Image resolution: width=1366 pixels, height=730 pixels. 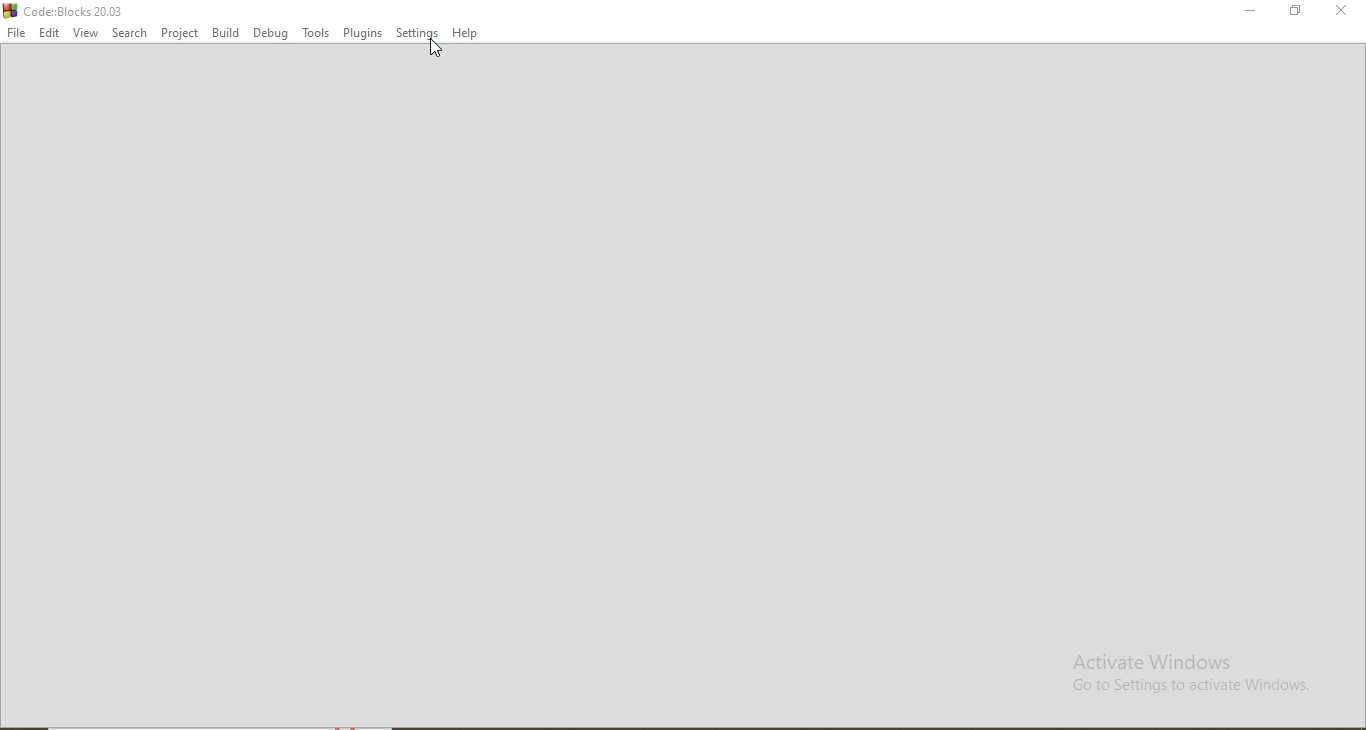 What do you see at coordinates (364, 31) in the screenshot?
I see `Plugins ` at bounding box center [364, 31].